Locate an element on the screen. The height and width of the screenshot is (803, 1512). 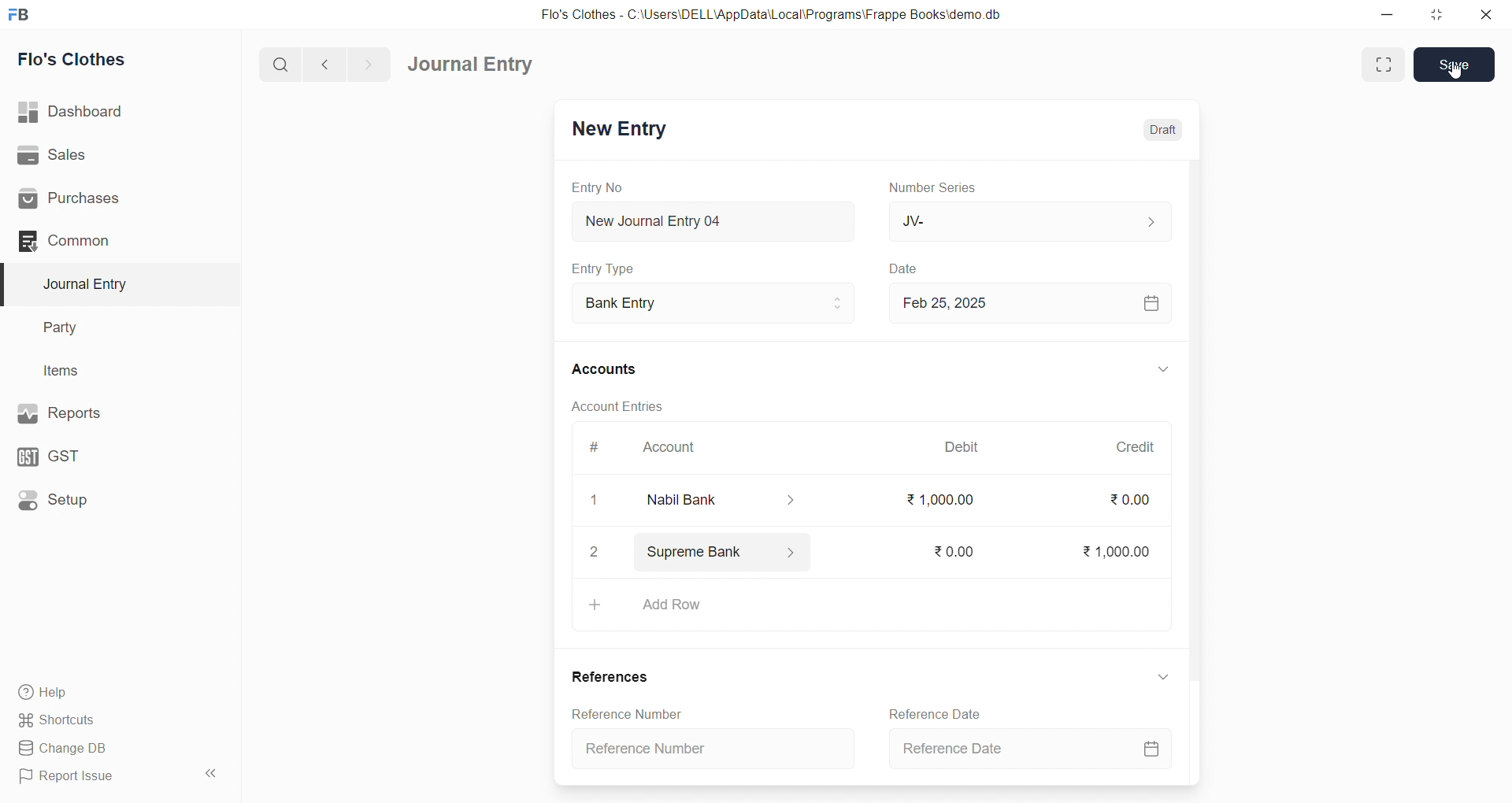
Entry No. is located at coordinates (597, 187).